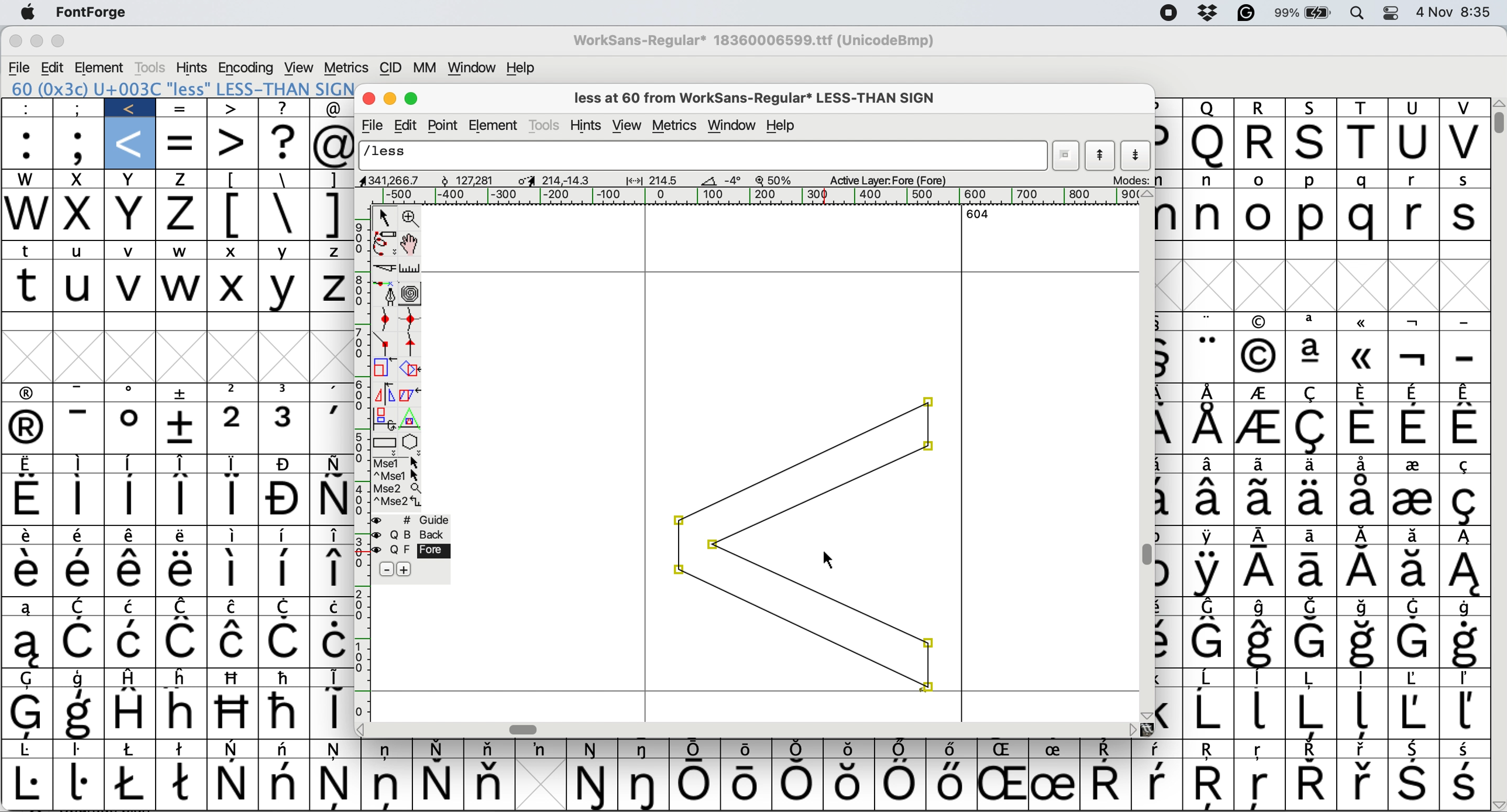 The height and width of the screenshot is (812, 1507). What do you see at coordinates (133, 678) in the screenshot?
I see `Symbol` at bounding box center [133, 678].